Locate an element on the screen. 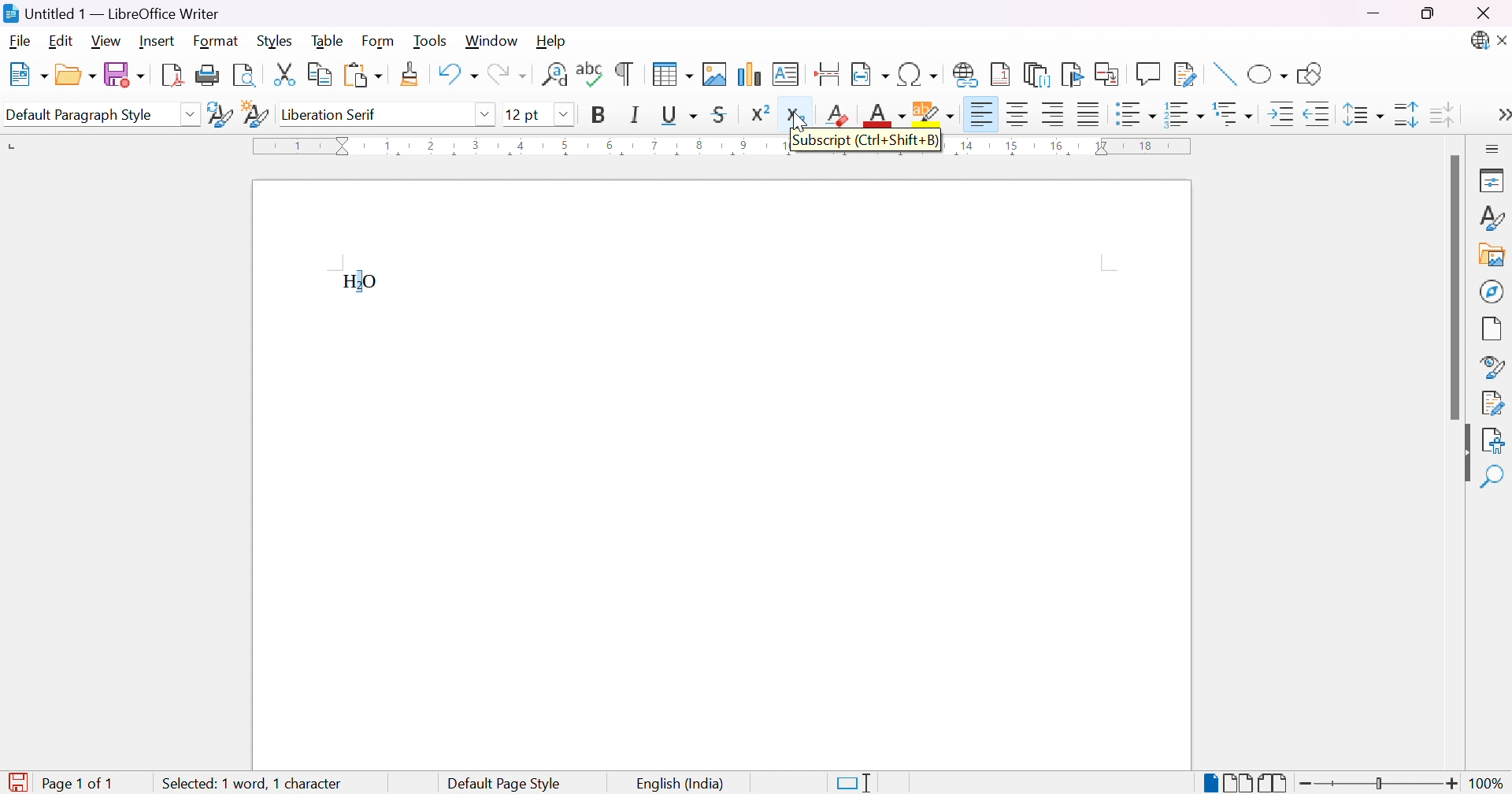  Decrease indent is located at coordinates (1318, 117).